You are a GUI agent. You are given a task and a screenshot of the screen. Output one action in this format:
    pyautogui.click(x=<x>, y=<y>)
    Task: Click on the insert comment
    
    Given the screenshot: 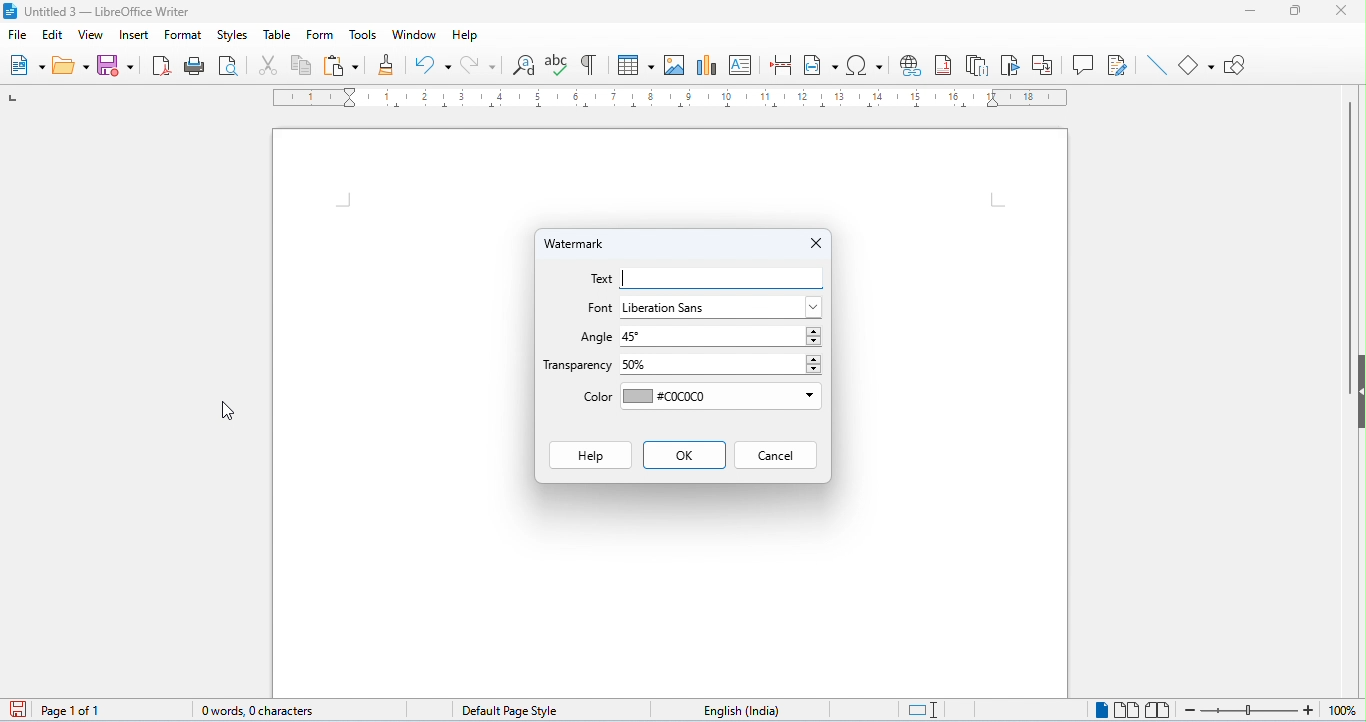 What is the action you would take?
    pyautogui.click(x=1084, y=64)
    